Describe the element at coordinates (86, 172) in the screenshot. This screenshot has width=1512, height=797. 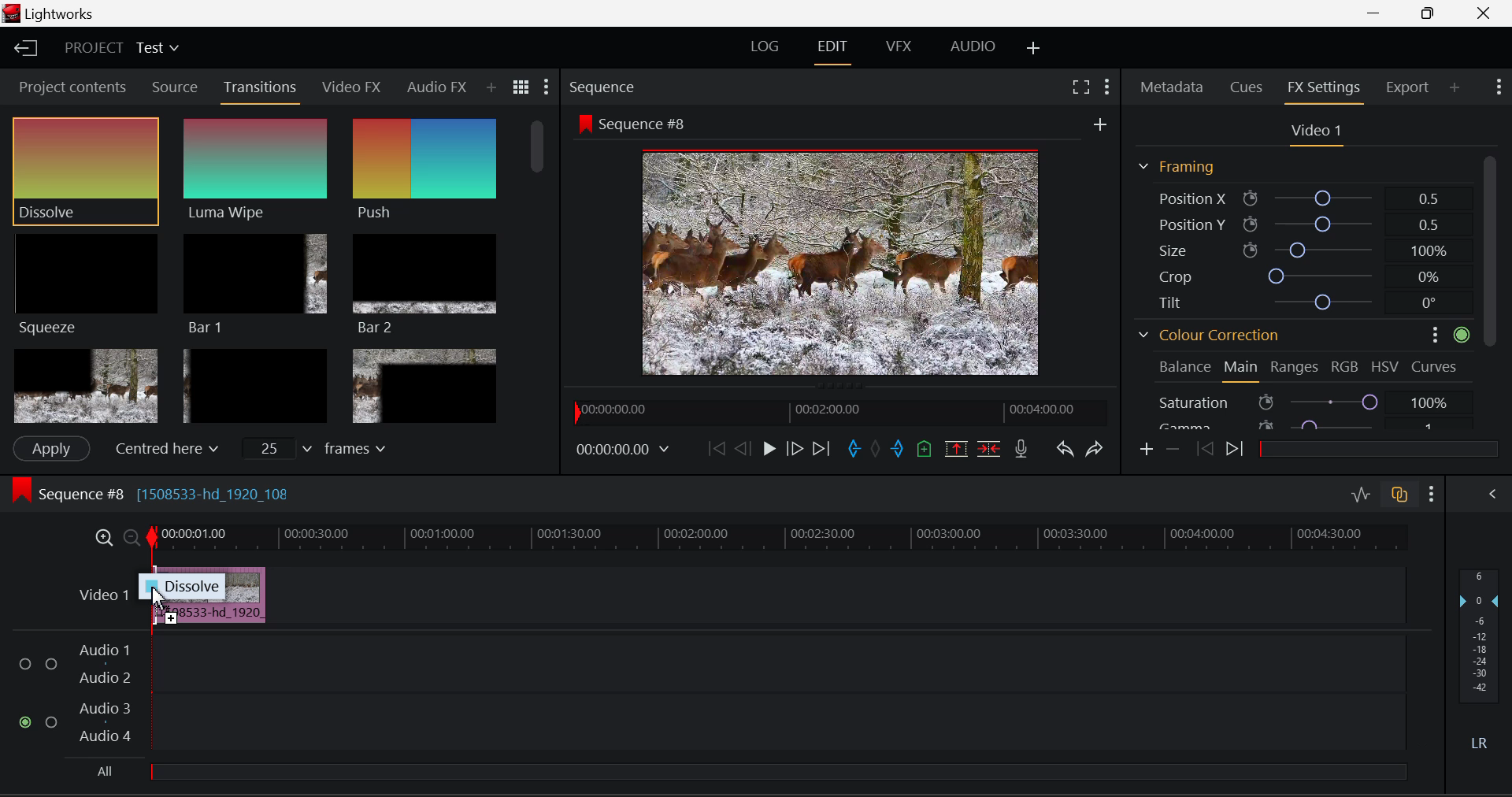
I see `Cursor MOUSE_DOWN on Dissolve` at that location.